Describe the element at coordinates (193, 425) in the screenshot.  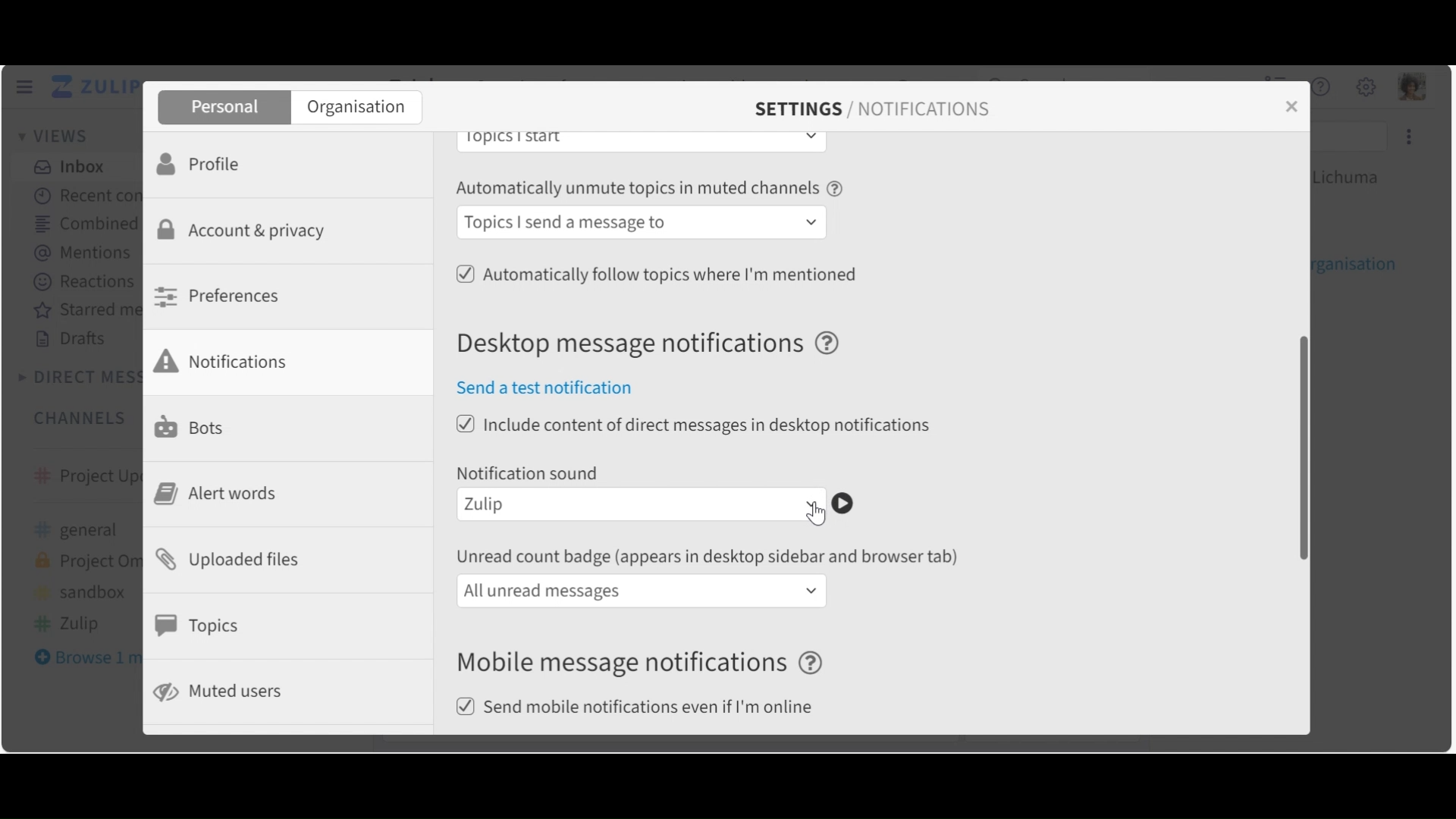
I see `Bots` at that location.